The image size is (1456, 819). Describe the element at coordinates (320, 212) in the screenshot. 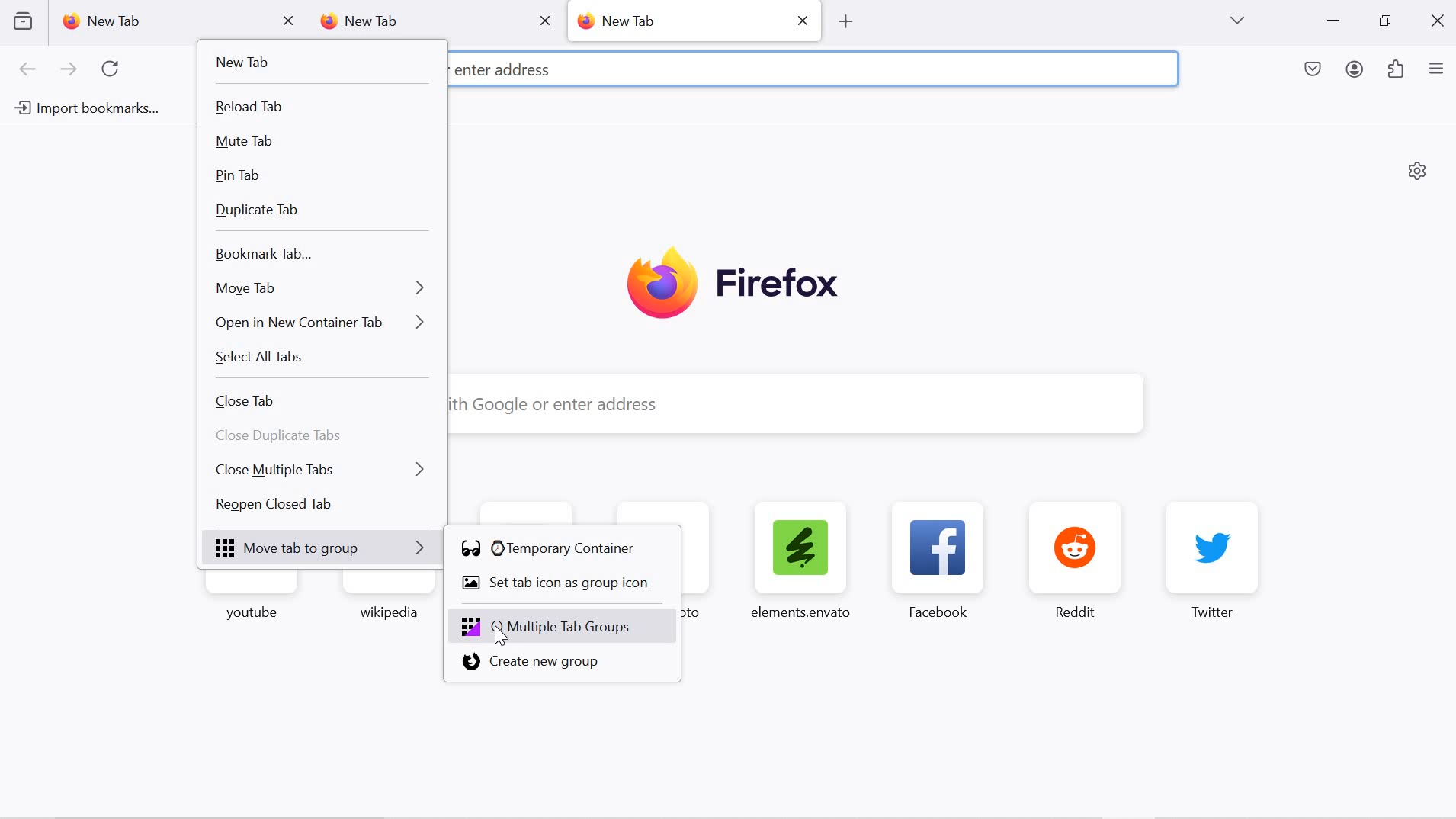

I see `duplicate tab` at that location.